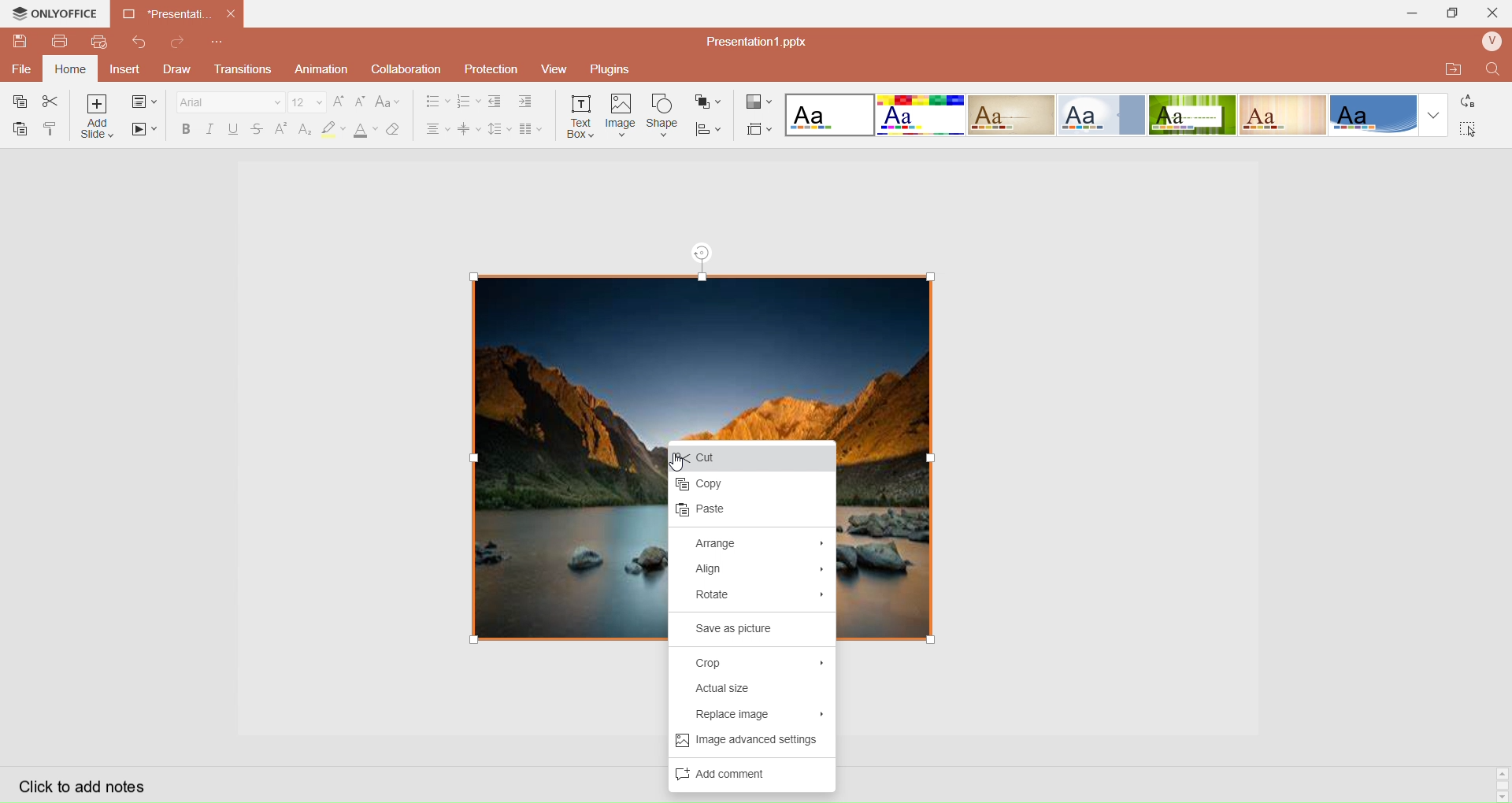 The height and width of the screenshot is (803, 1512). Describe the element at coordinates (469, 102) in the screenshot. I see `Numbering` at that location.